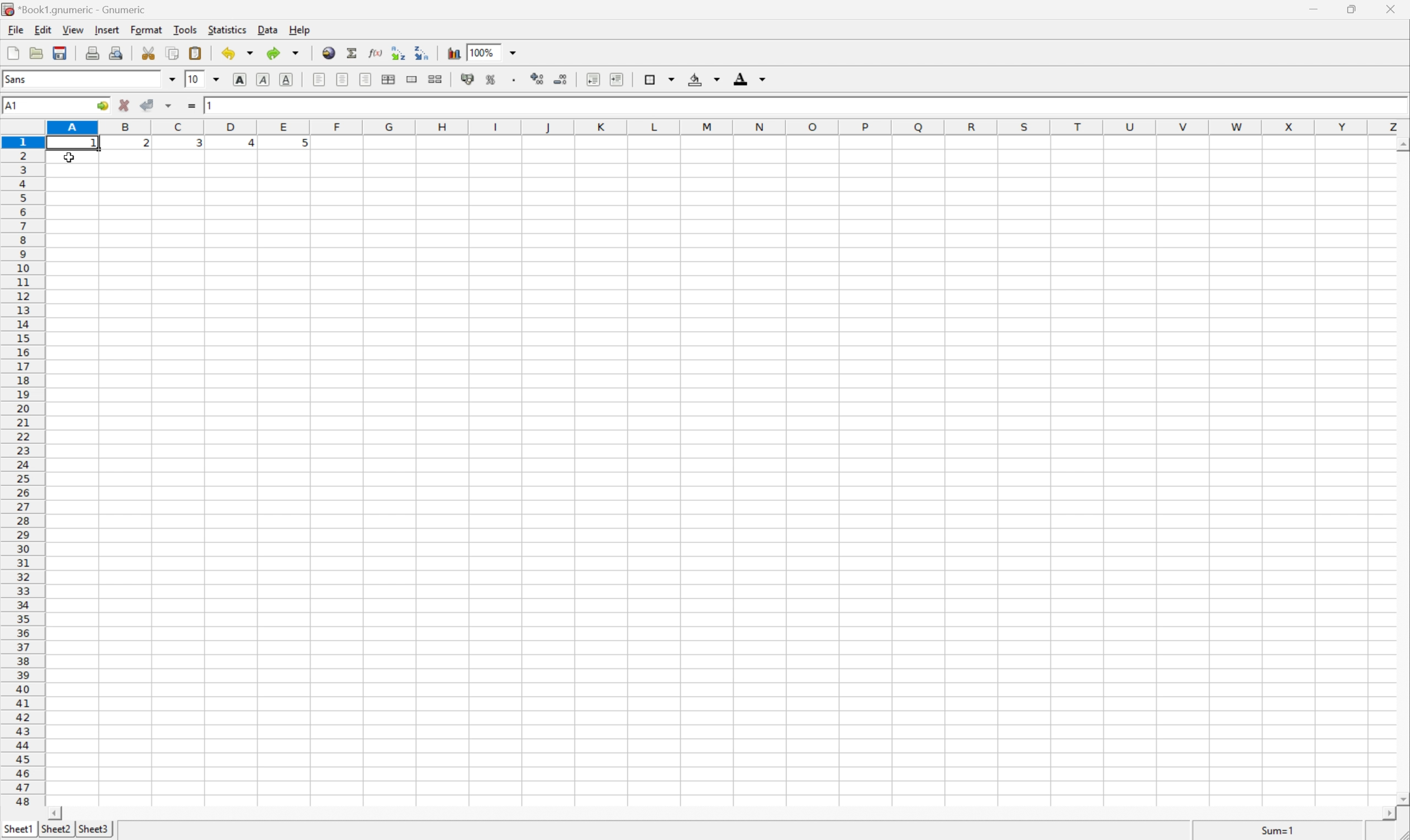 This screenshot has height=840, width=1410. Describe the element at coordinates (242, 79) in the screenshot. I see `bold` at that location.